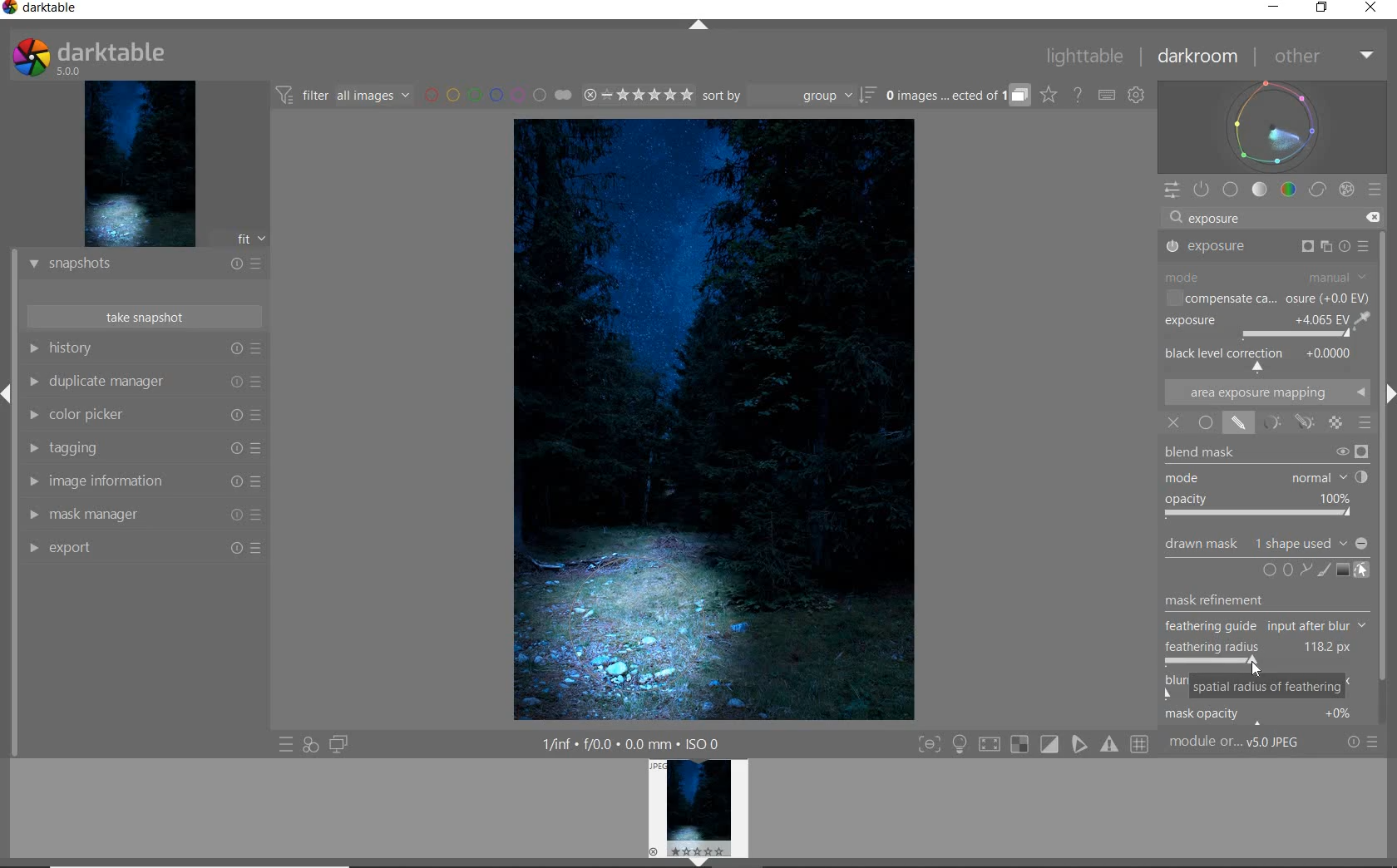 The width and height of the screenshot is (1397, 868). Describe the element at coordinates (141, 482) in the screenshot. I see `IMAGE INFORMATION` at that location.